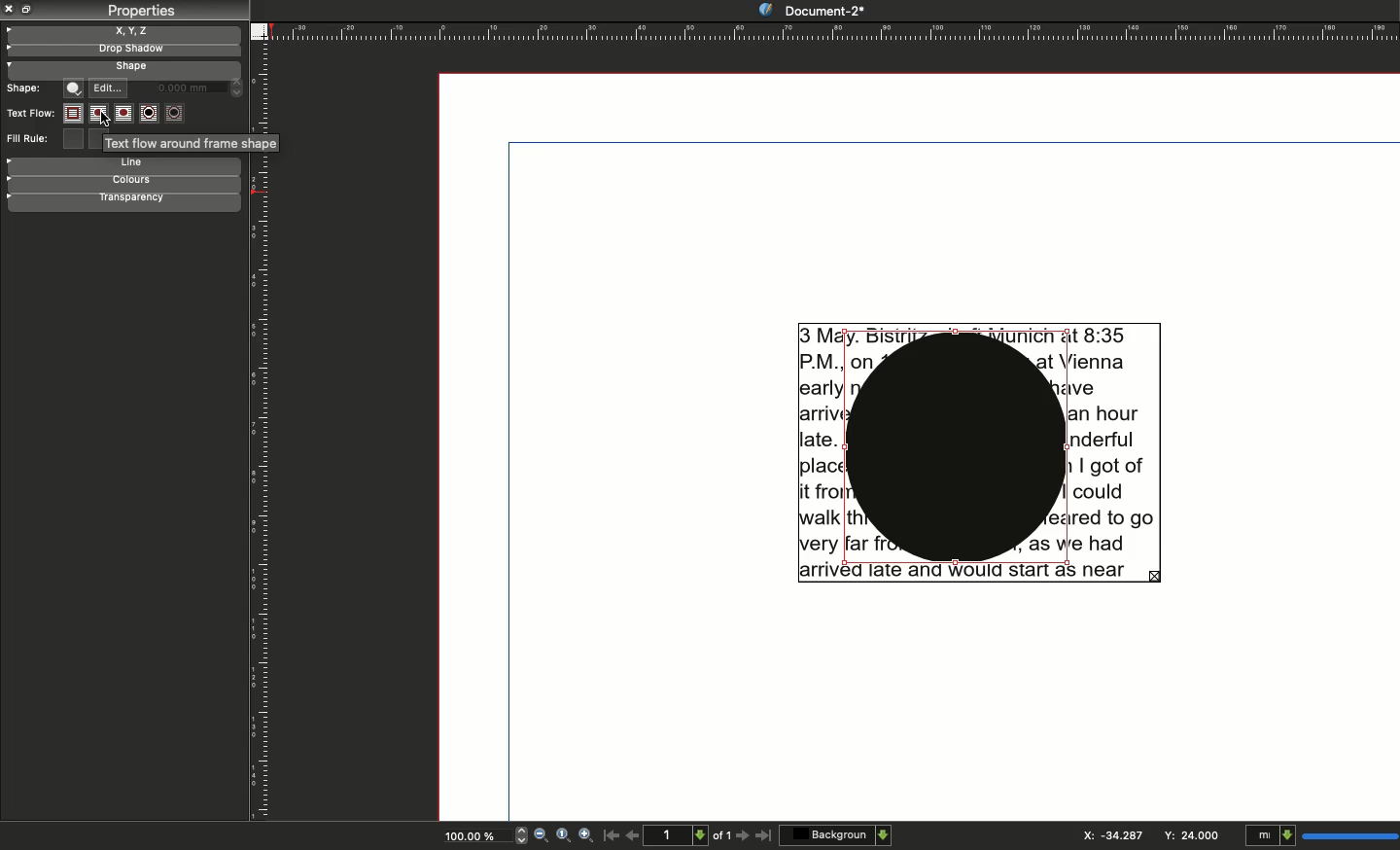 This screenshot has height=850, width=1400. What do you see at coordinates (1322, 833) in the screenshot?
I see `Units` at bounding box center [1322, 833].